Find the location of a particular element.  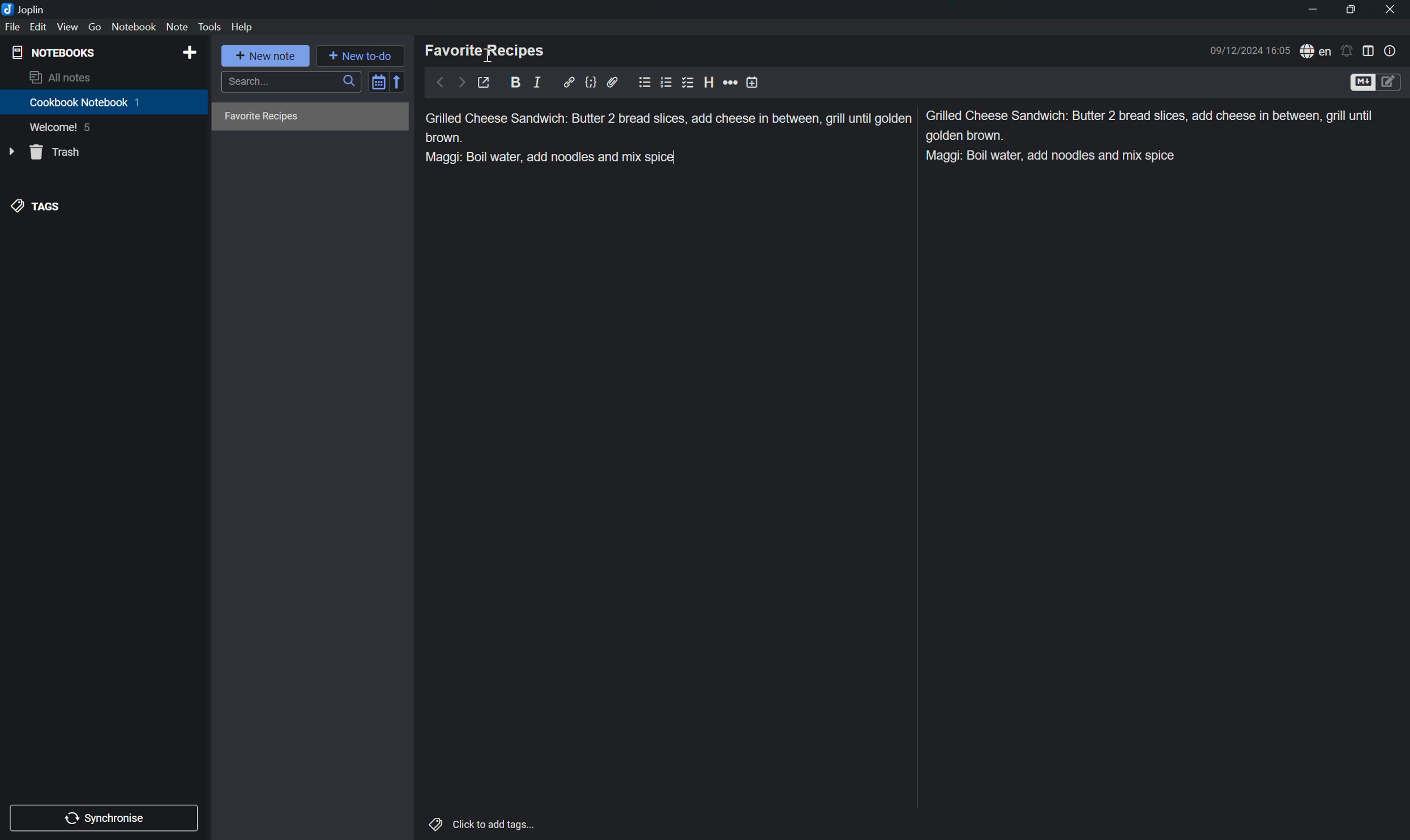

NOTEBOOKS is located at coordinates (53, 53).